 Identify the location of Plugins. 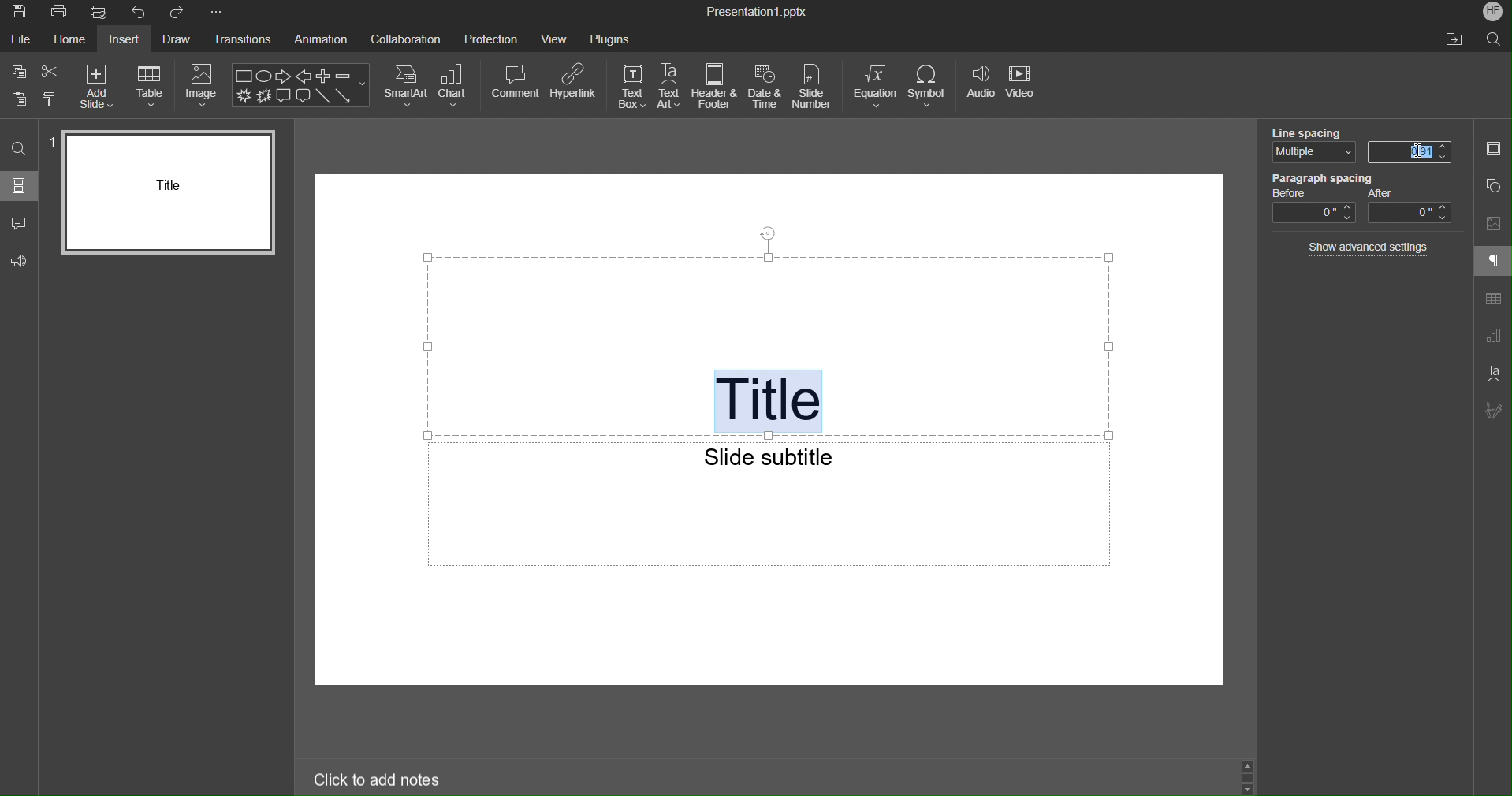
(609, 39).